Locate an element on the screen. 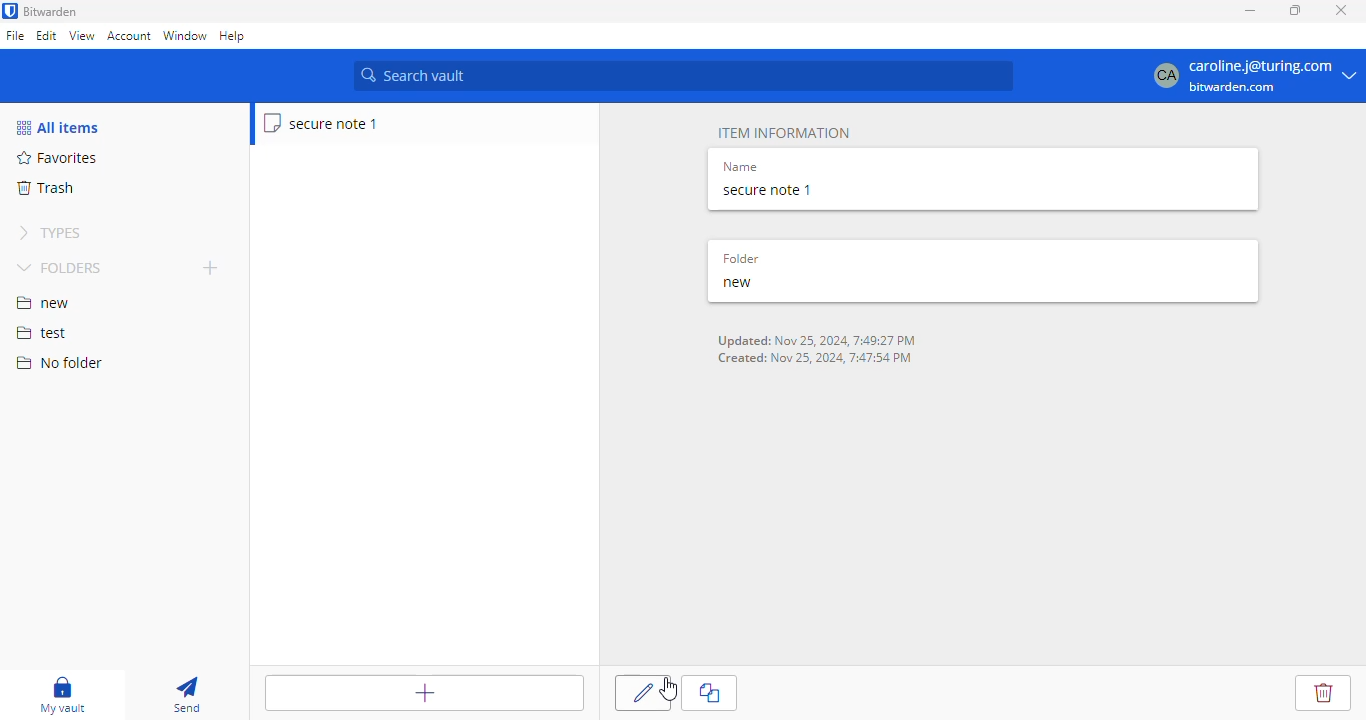 The width and height of the screenshot is (1366, 720). item information is located at coordinates (783, 133).